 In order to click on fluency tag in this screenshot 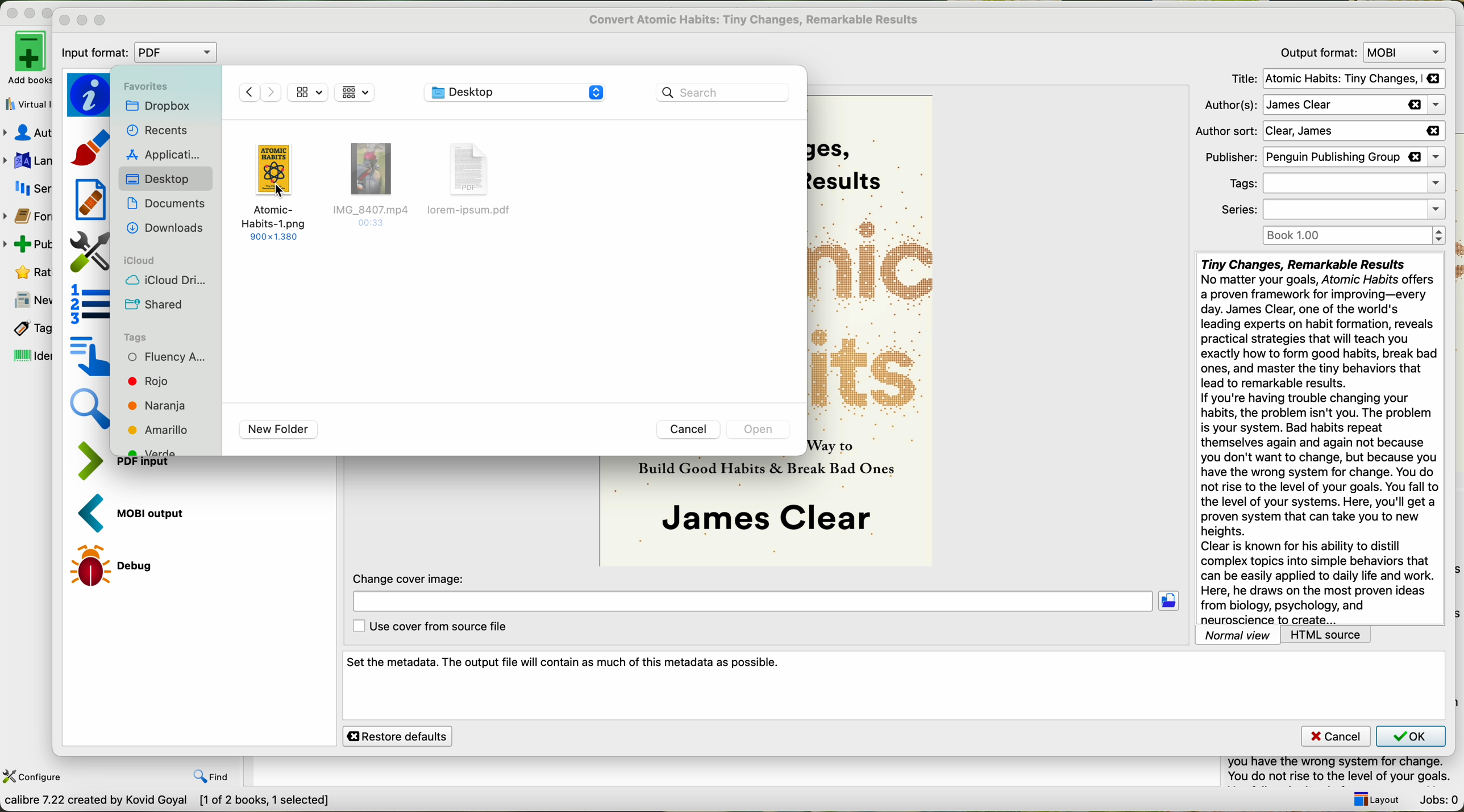, I will do `click(167, 357)`.